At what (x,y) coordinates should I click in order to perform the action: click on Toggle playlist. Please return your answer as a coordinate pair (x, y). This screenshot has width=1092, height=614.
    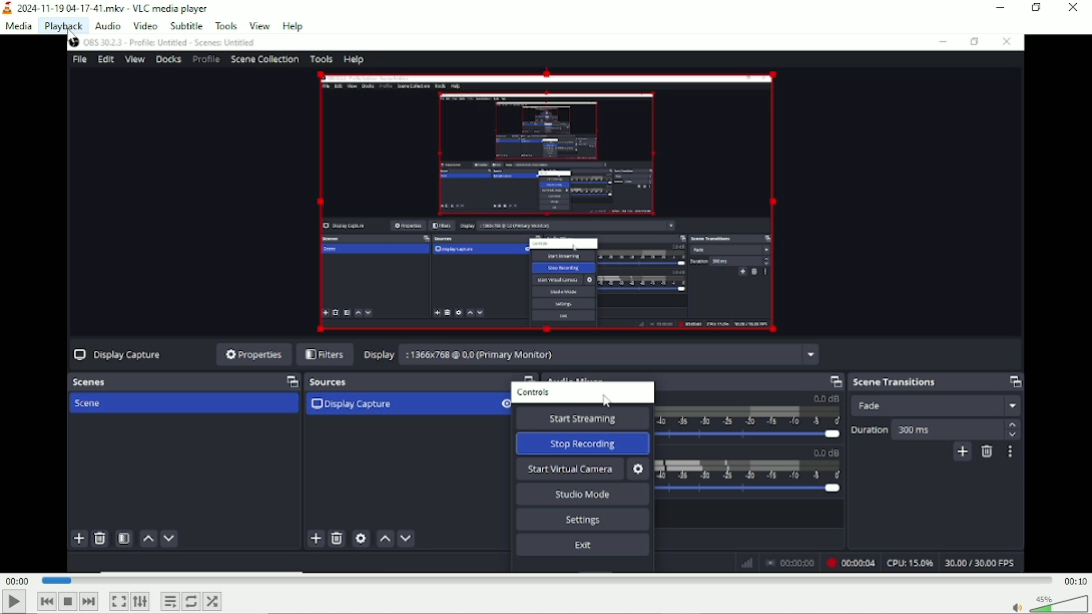
    Looking at the image, I should click on (169, 601).